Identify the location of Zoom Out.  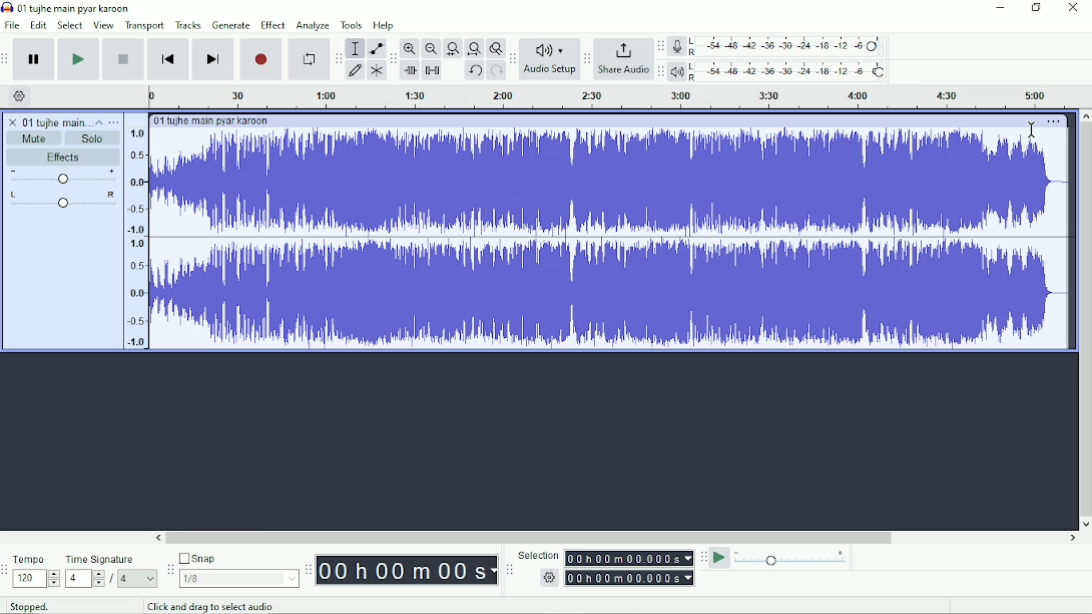
(431, 48).